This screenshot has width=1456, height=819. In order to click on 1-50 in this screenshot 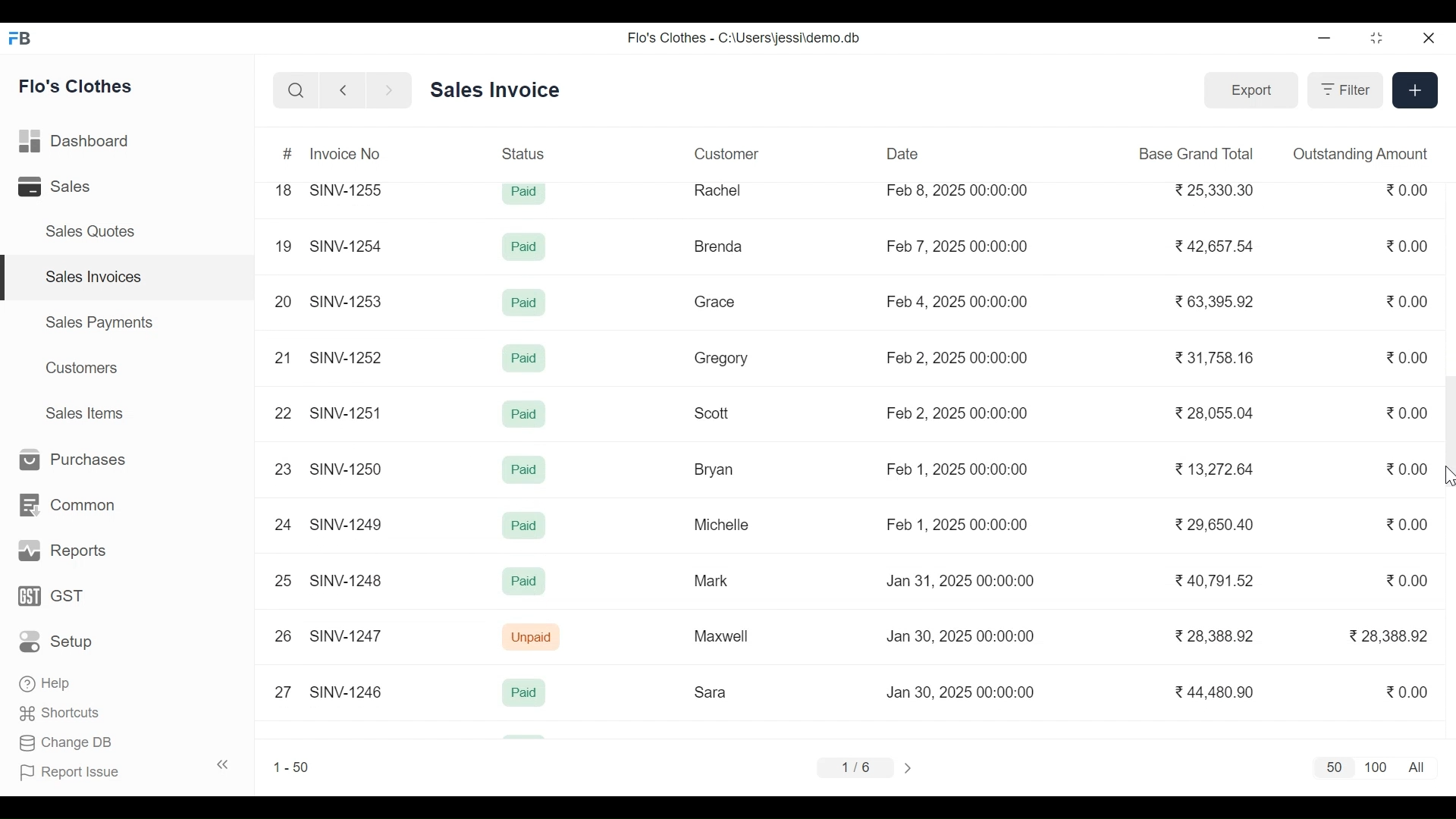, I will do `click(291, 767)`.